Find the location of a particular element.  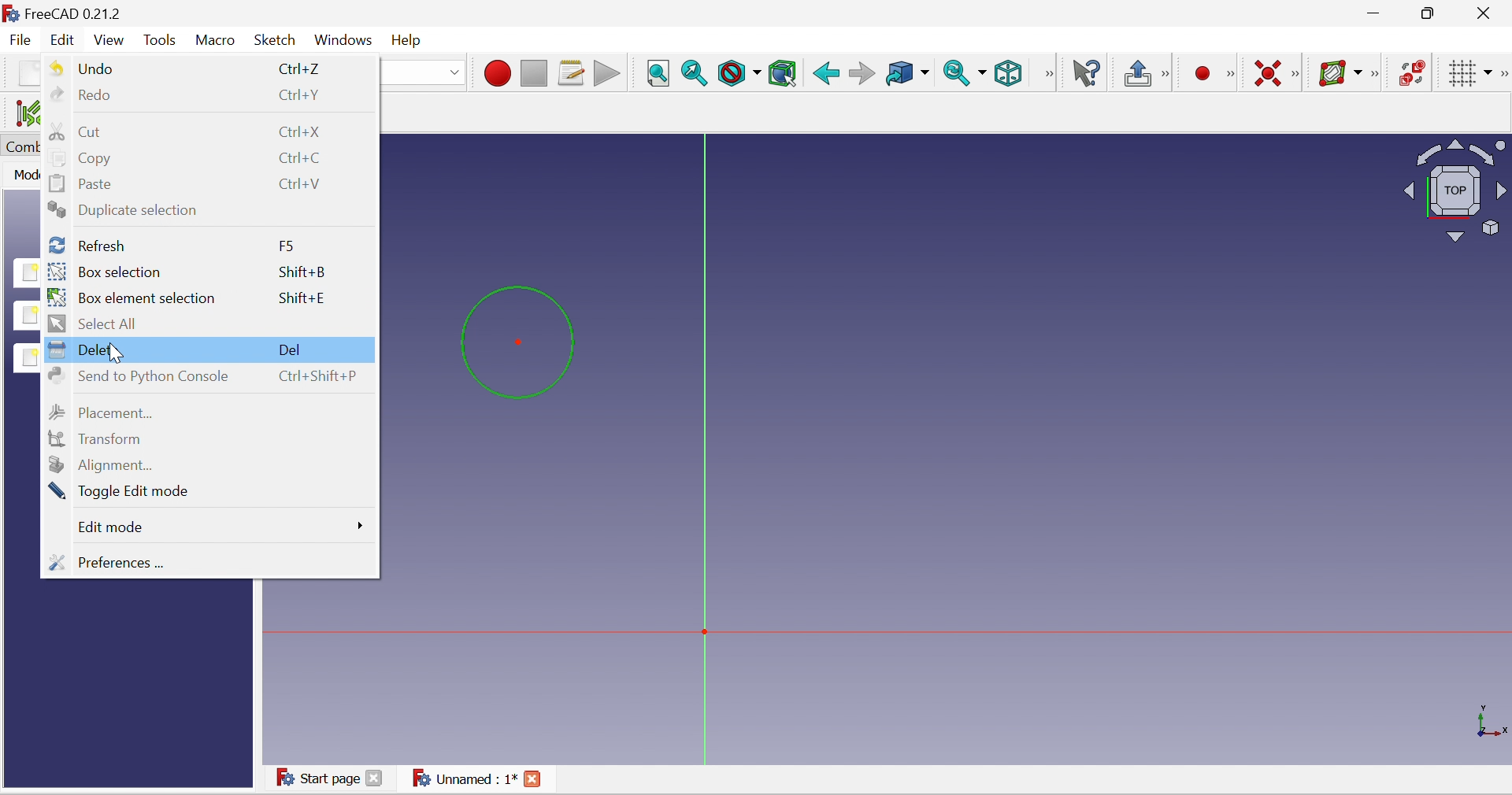

Del is located at coordinates (290, 349).